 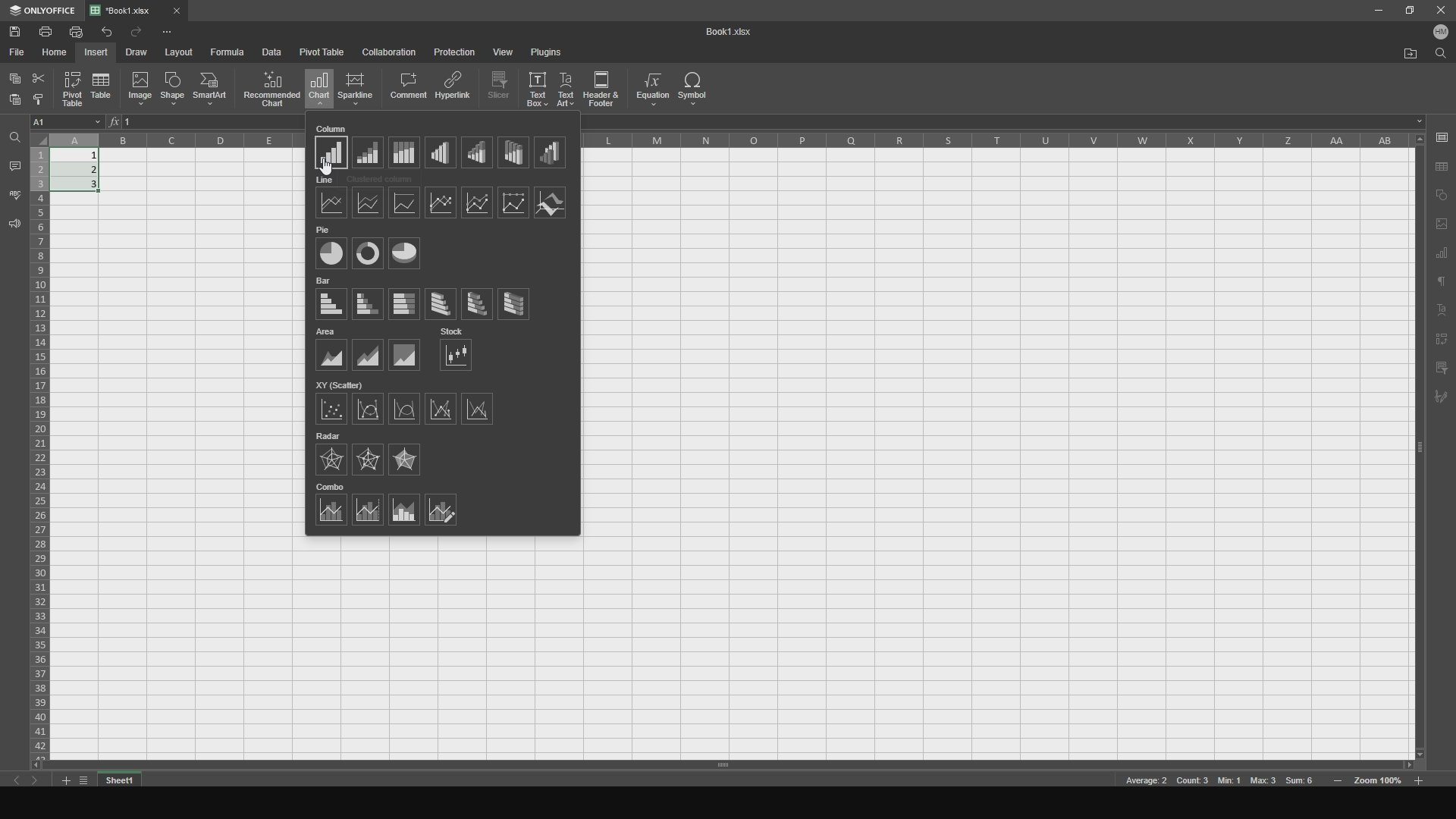 I want to click on areas, so click(x=367, y=350).